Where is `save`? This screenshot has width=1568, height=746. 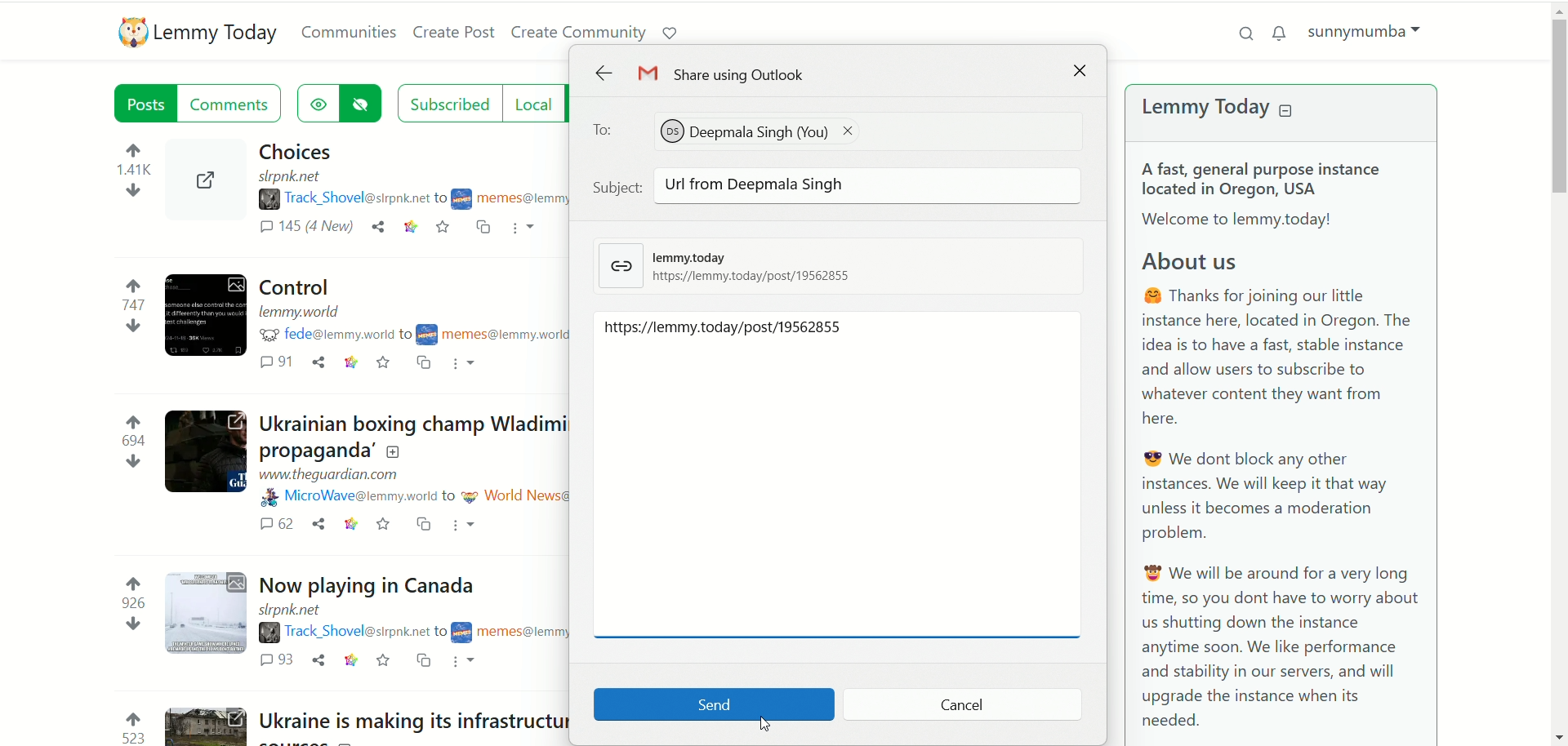 save is located at coordinates (445, 229).